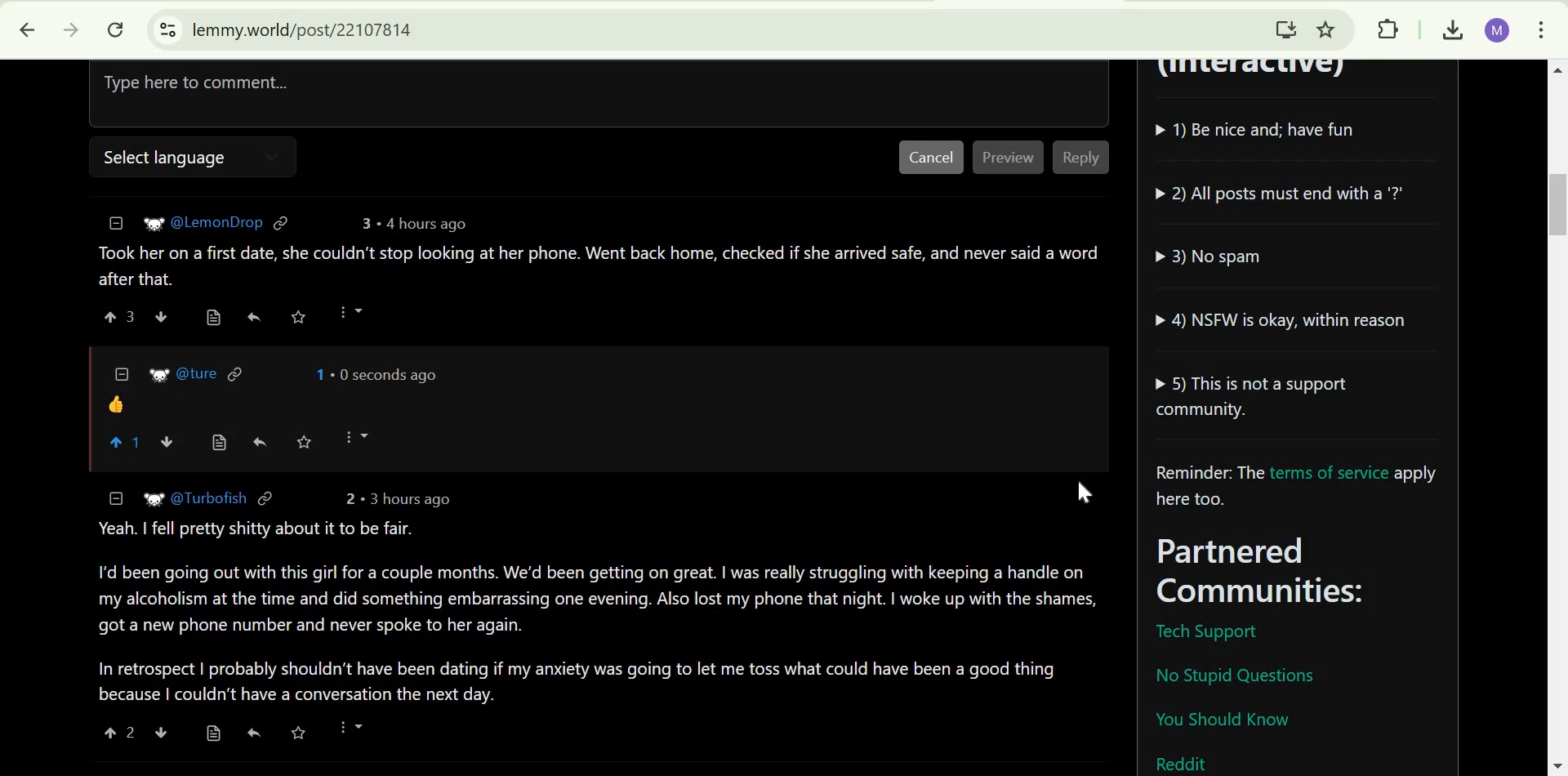 This screenshot has width=1568, height=776. What do you see at coordinates (166, 30) in the screenshot?
I see `View site information` at bounding box center [166, 30].